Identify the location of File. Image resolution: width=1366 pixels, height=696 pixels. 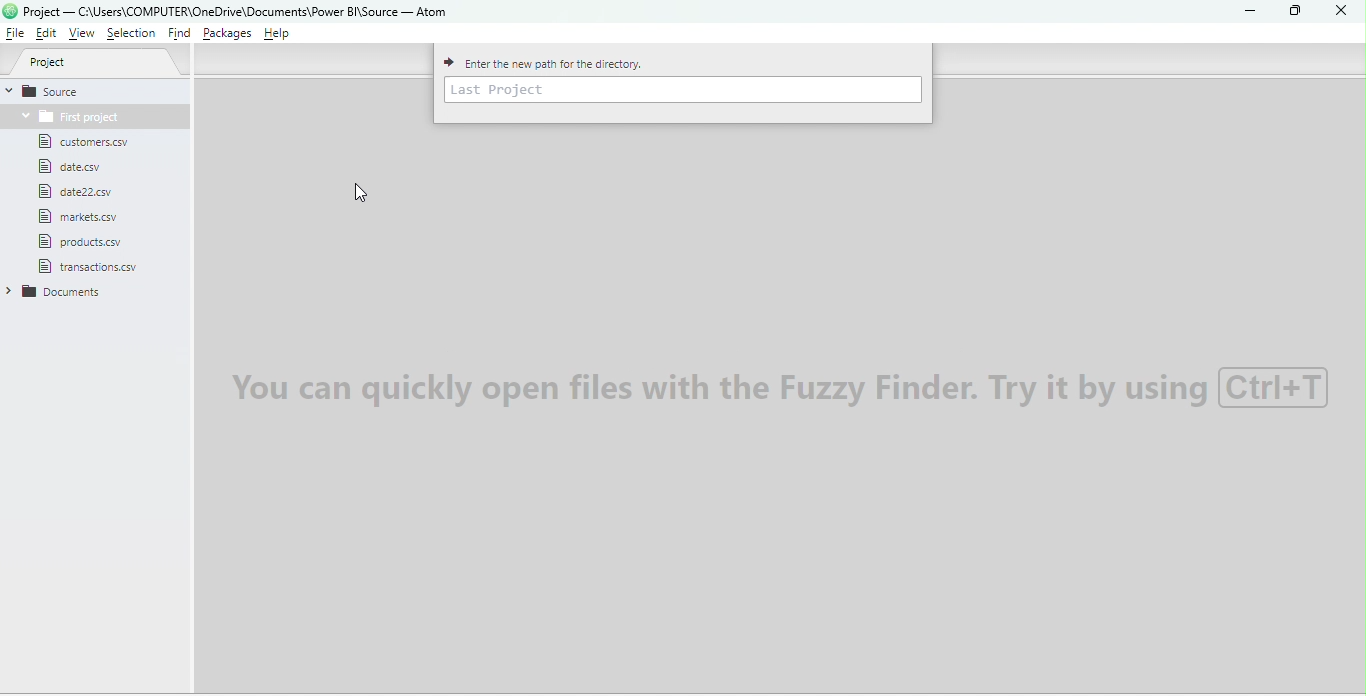
(76, 216).